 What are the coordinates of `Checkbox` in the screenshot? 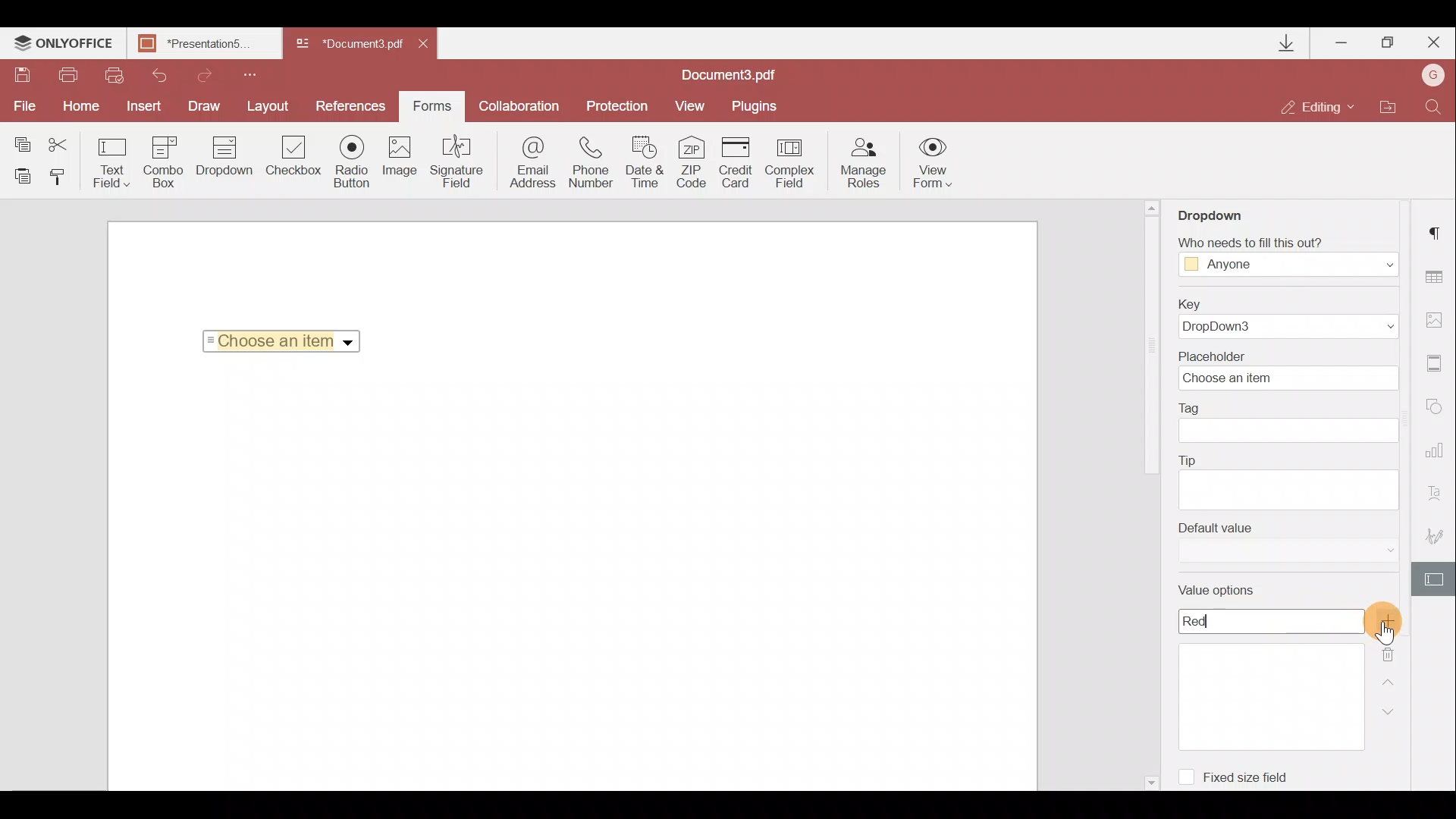 It's located at (294, 157).